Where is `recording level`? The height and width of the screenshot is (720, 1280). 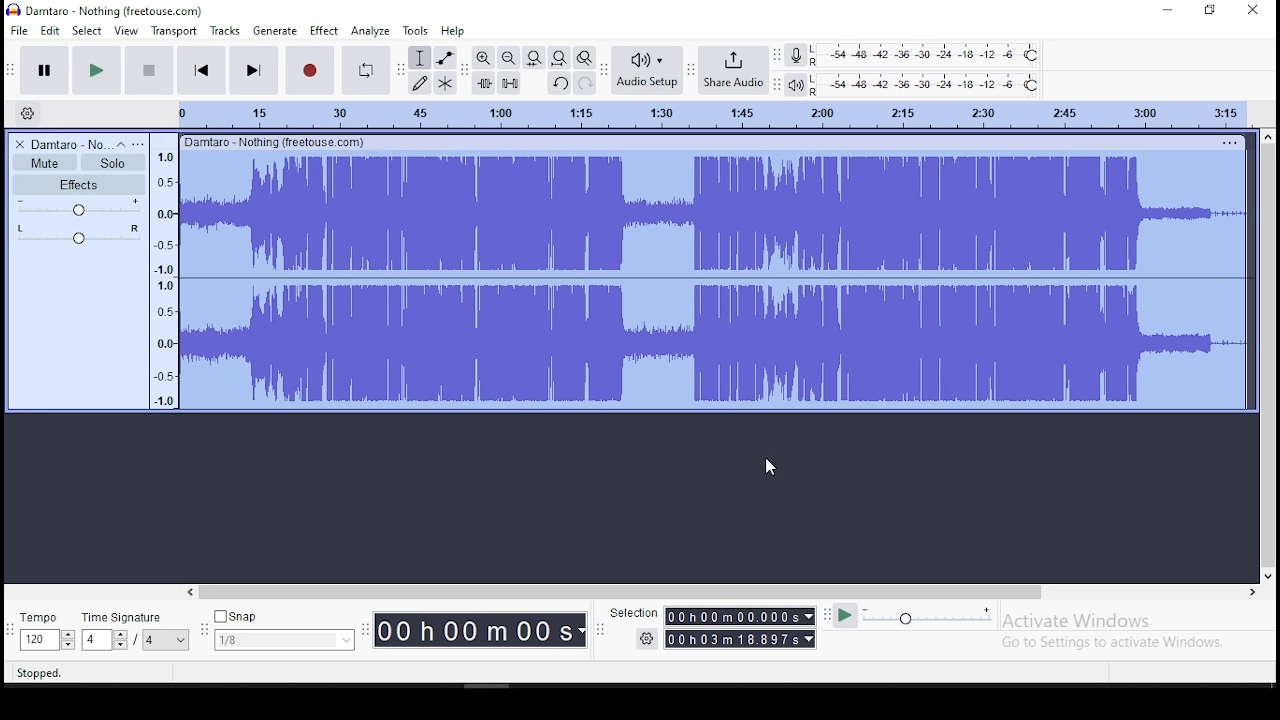
recording level is located at coordinates (927, 55).